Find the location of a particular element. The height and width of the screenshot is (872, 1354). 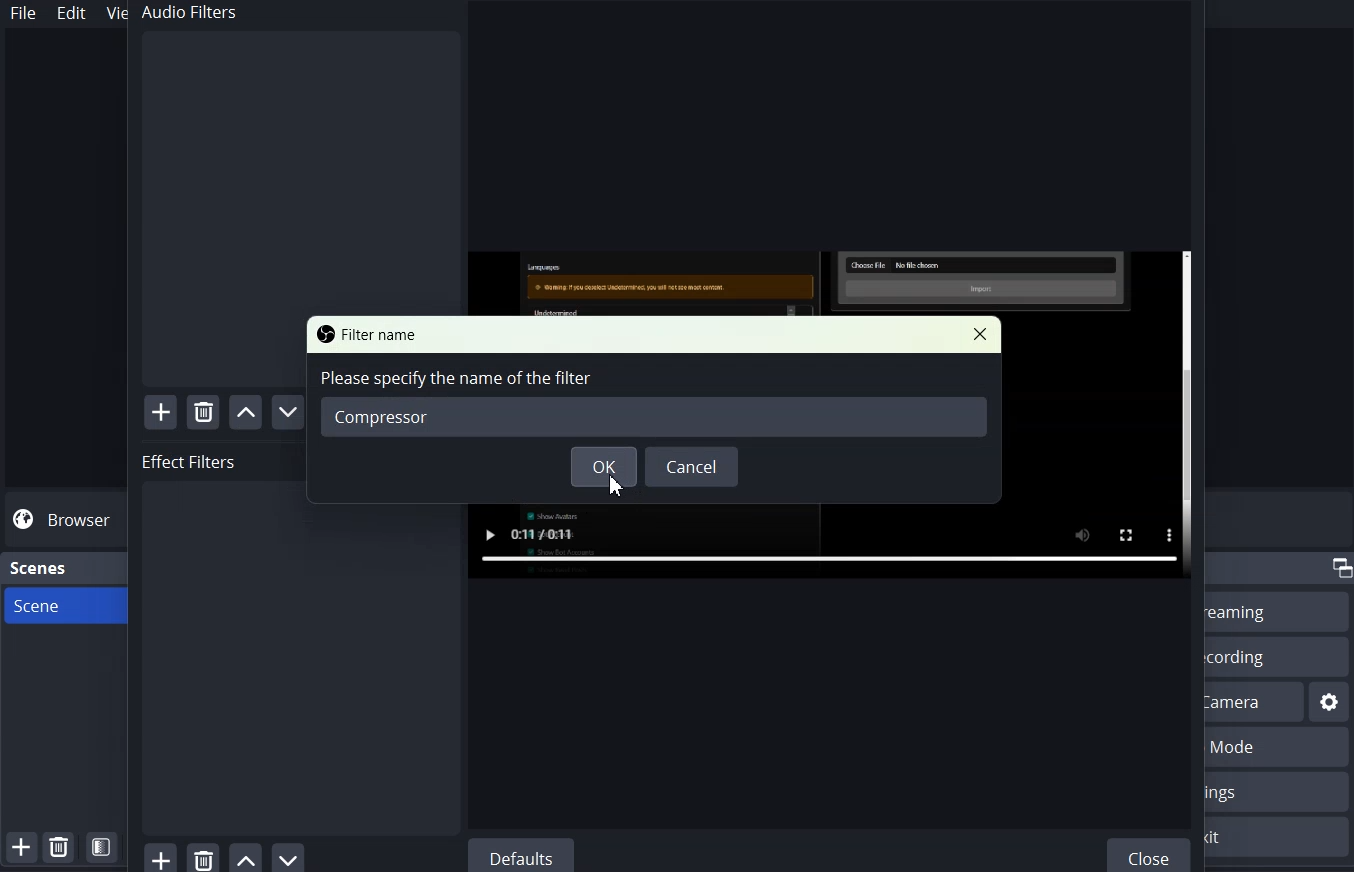

Maximize is located at coordinates (1340, 568).